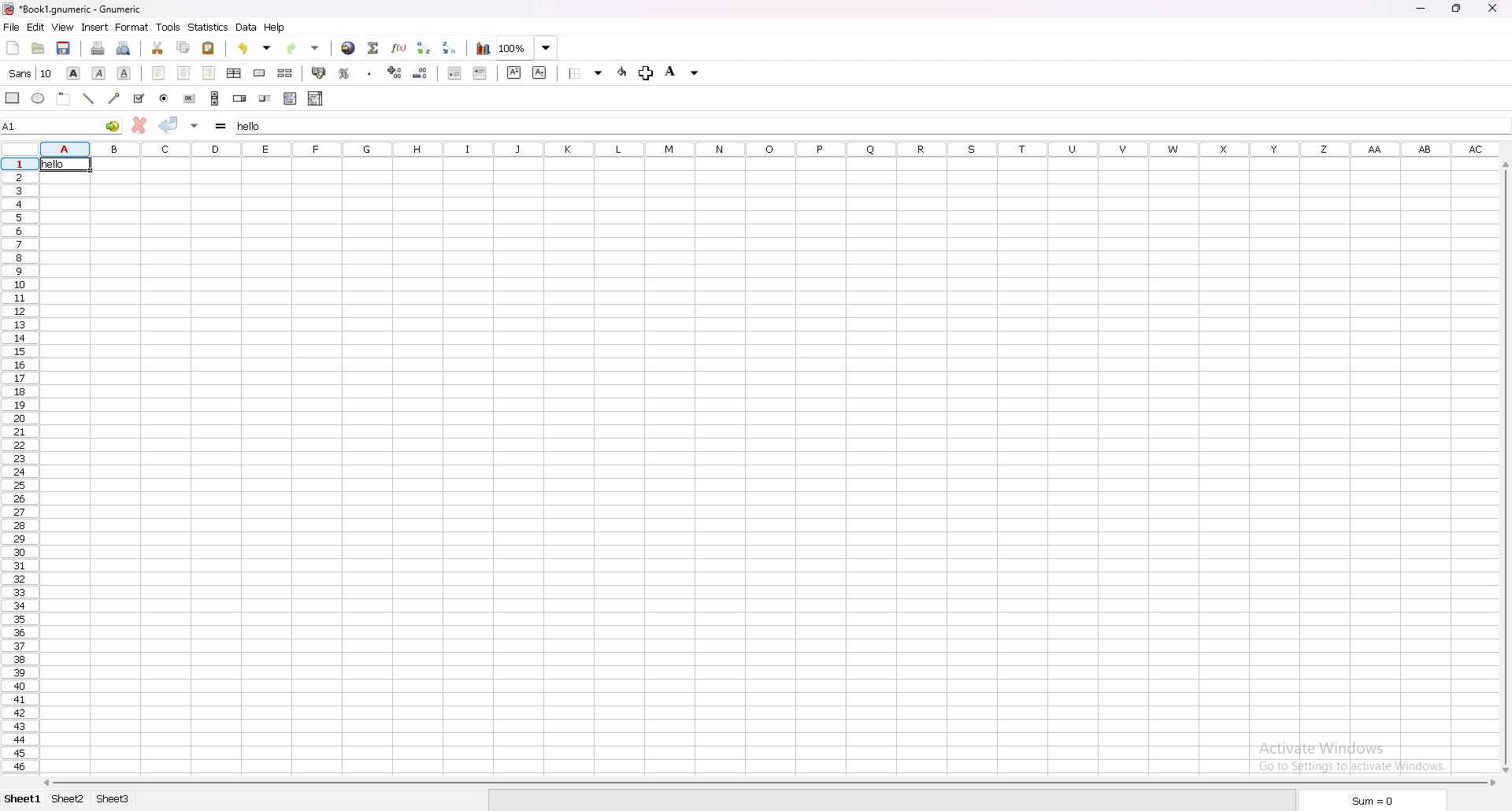 The height and width of the screenshot is (811, 1512). What do you see at coordinates (319, 72) in the screenshot?
I see `accounting` at bounding box center [319, 72].